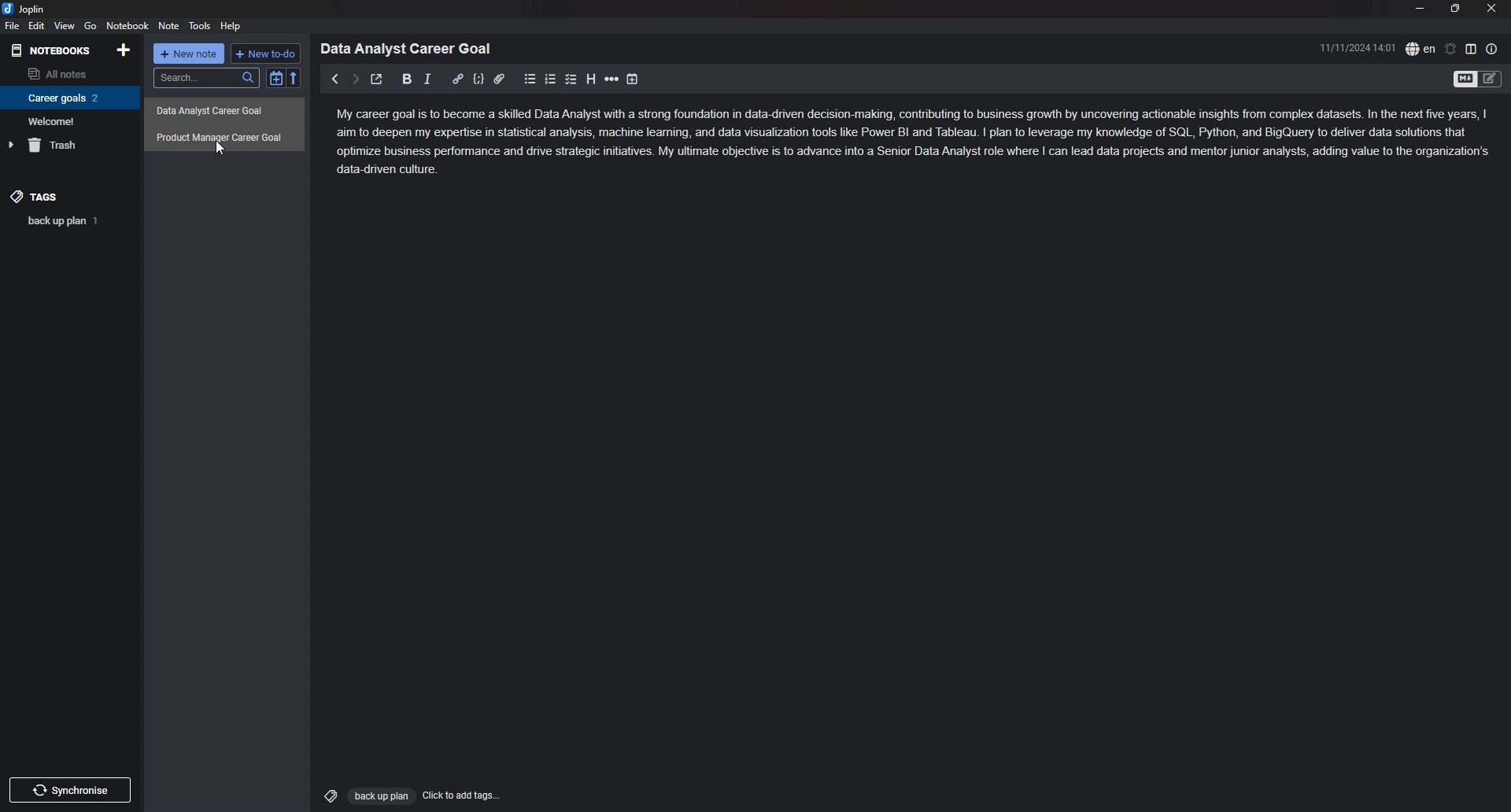  I want to click on hyperlink, so click(457, 79).